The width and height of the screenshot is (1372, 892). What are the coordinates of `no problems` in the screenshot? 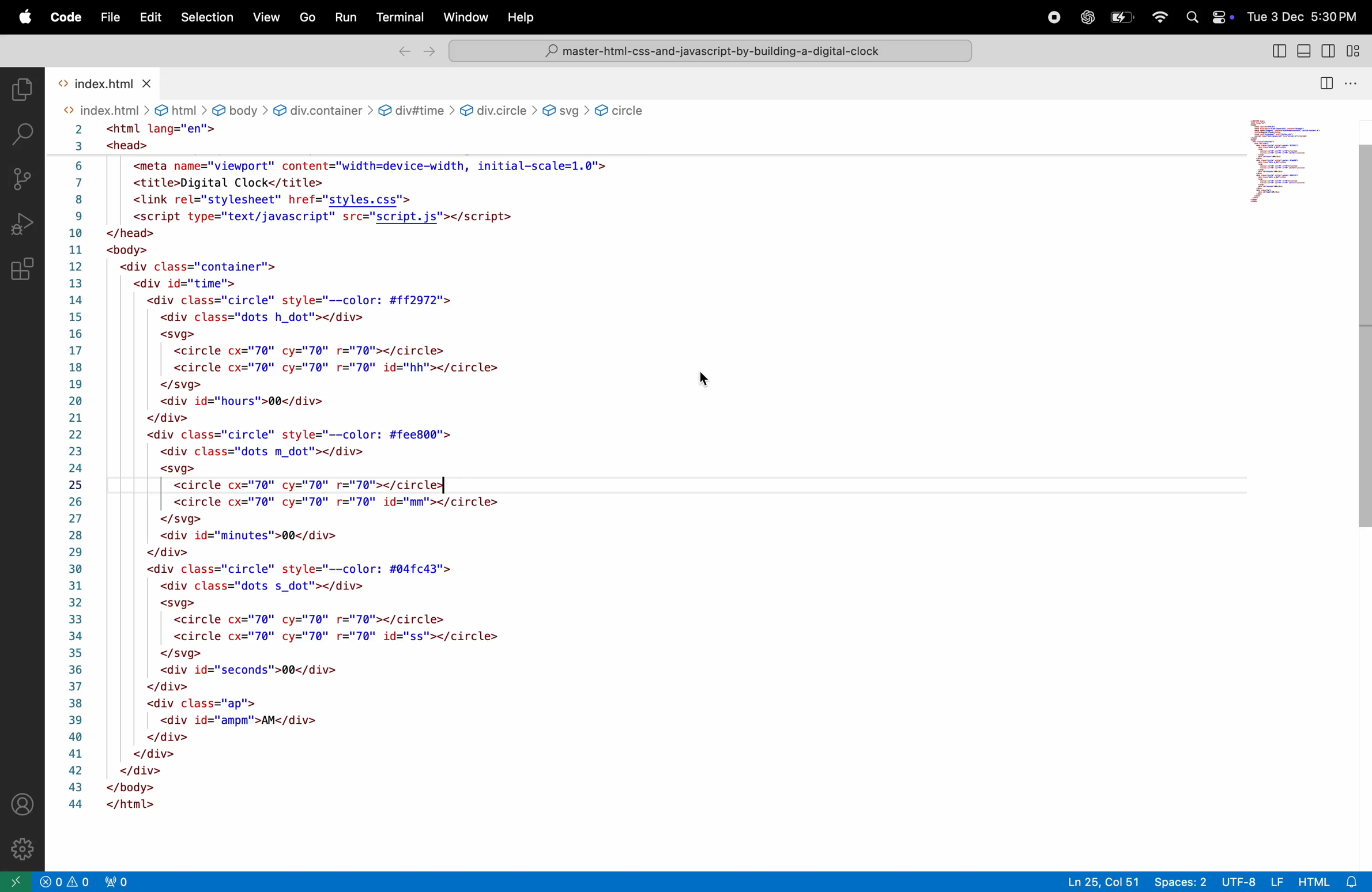 It's located at (62, 882).